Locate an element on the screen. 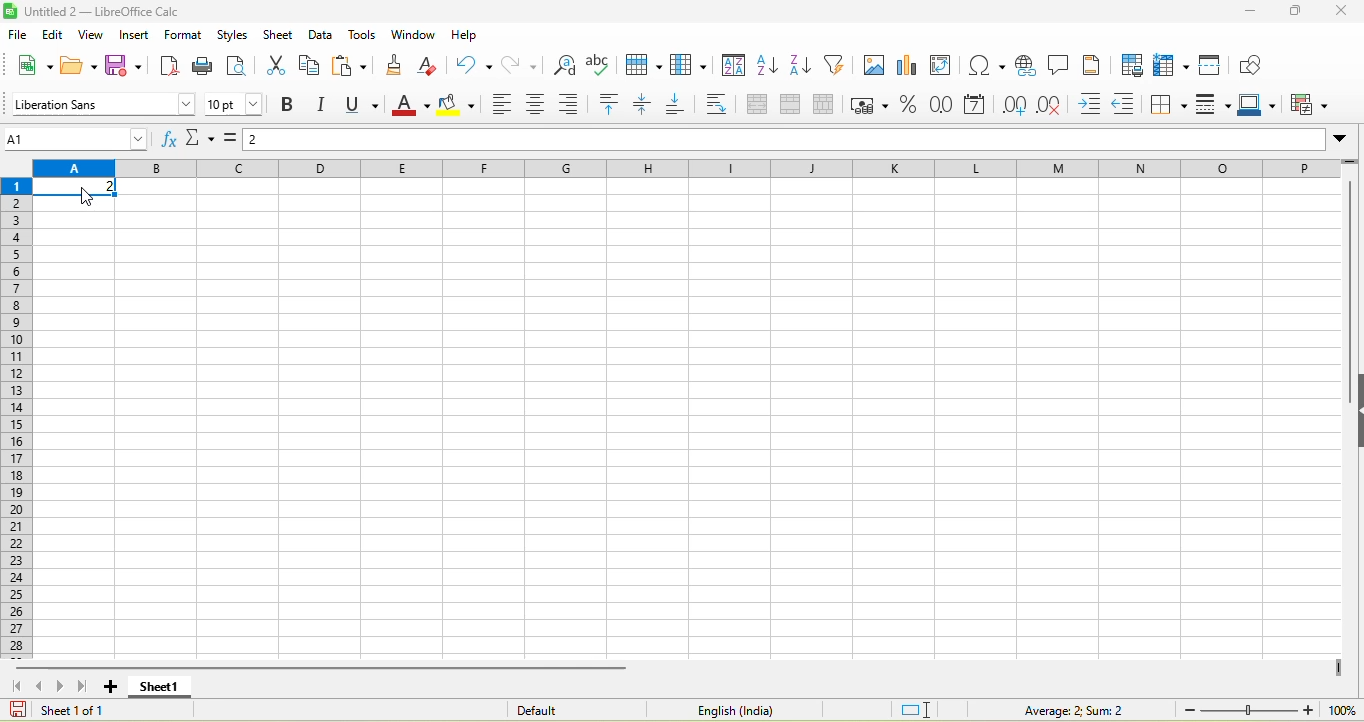 The width and height of the screenshot is (1364, 722). chart is located at coordinates (909, 67).